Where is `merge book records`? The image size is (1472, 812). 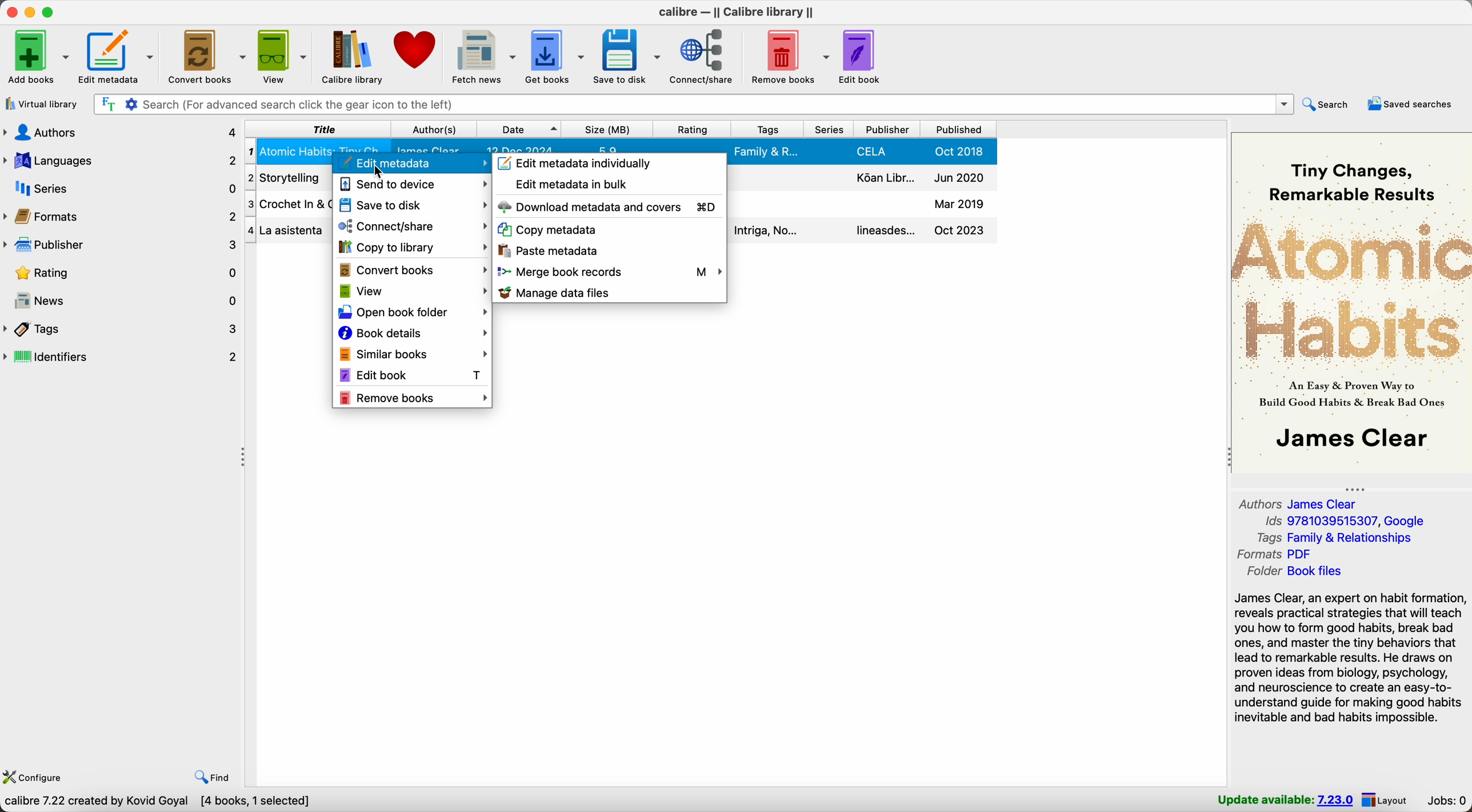 merge book records is located at coordinates (609, 270).